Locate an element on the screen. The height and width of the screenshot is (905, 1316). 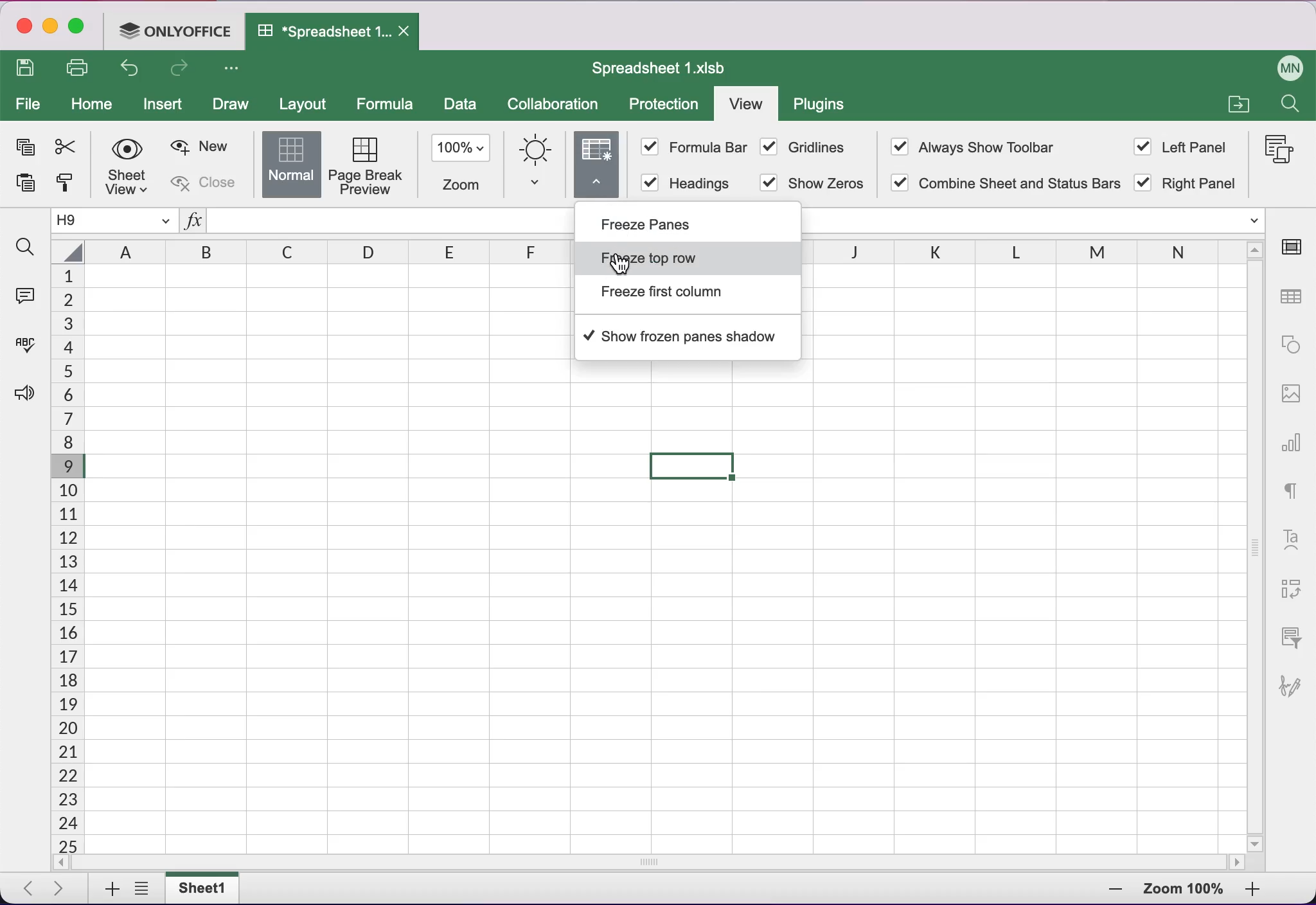
minimize is located at coordinates (51, 26).